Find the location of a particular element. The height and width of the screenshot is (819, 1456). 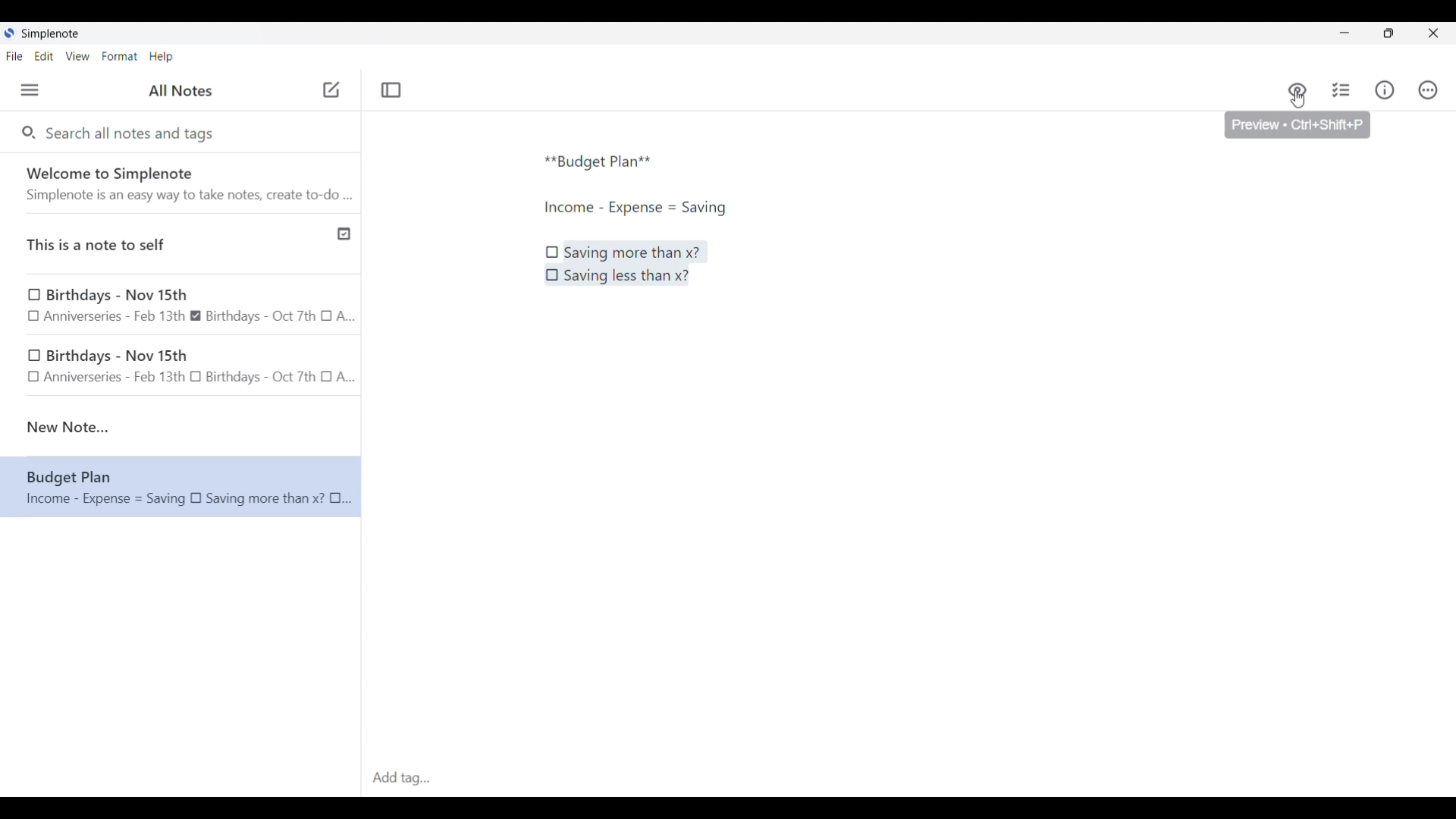

Format menu is located at coordinates (120, 56).